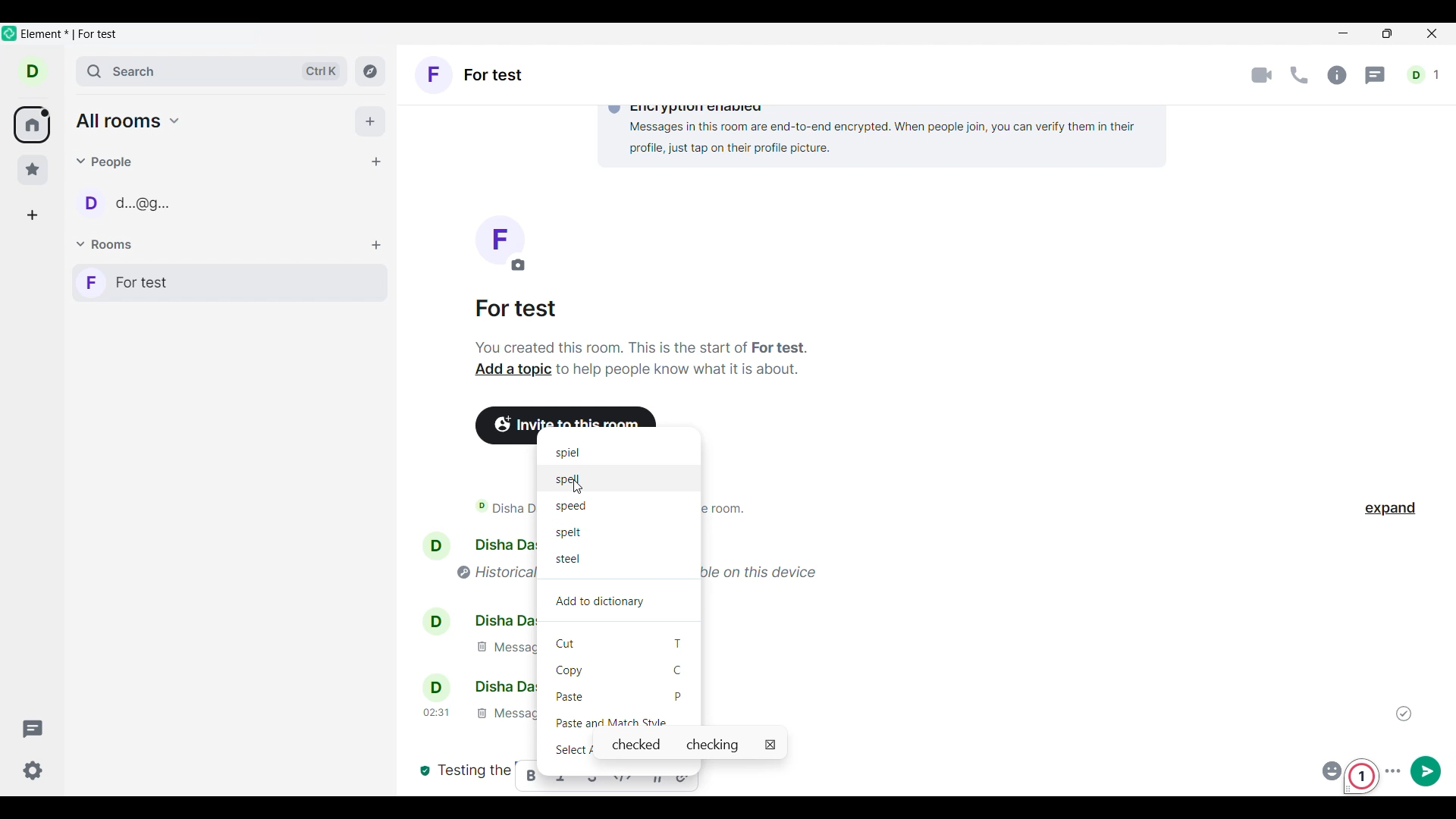  Describe the element at coordinates (230, 283) in the screenshot. I see `f for test` at that location.